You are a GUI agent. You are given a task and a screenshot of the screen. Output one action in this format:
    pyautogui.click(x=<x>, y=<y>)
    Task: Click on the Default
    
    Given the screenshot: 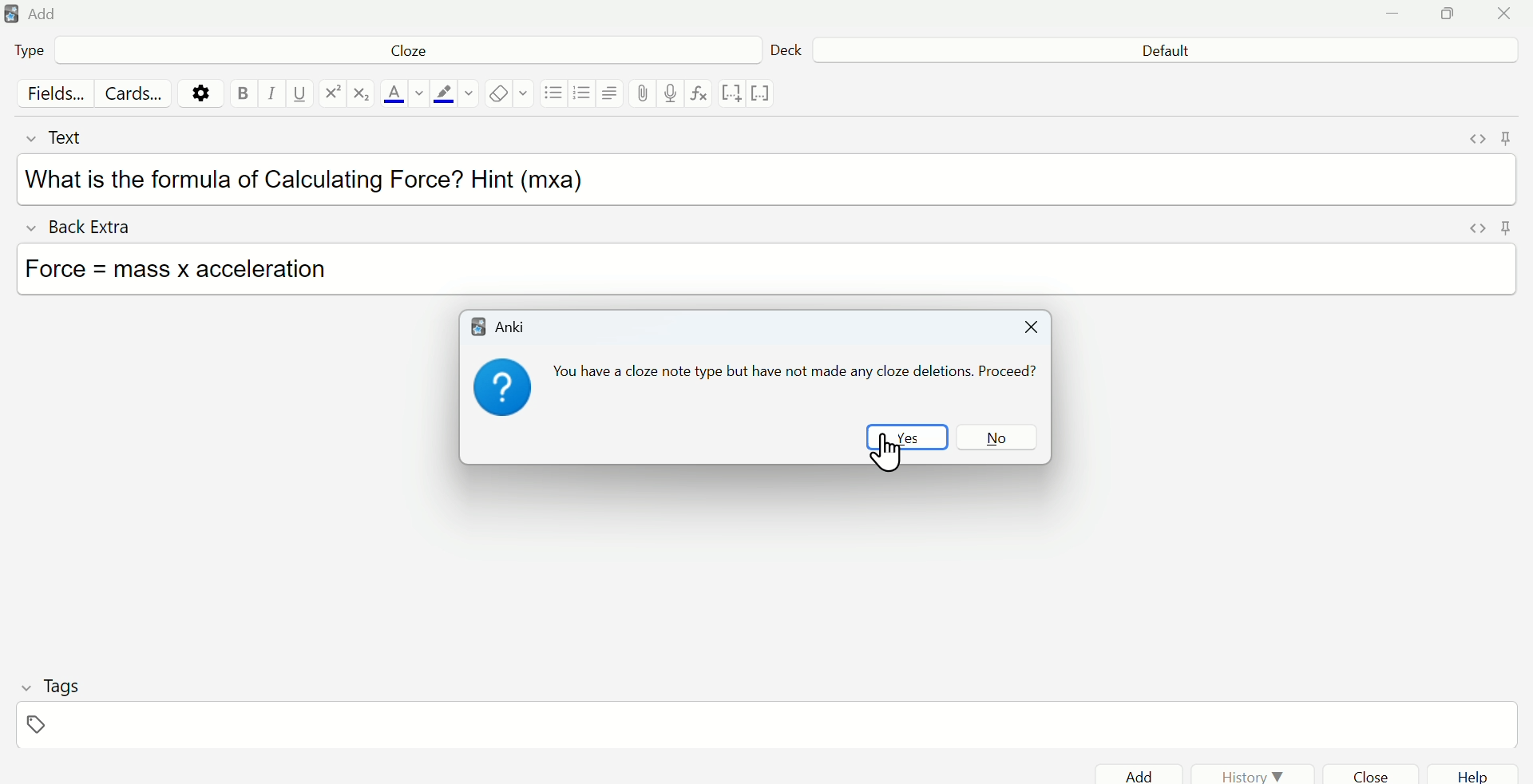 What is the action you would take?
    pyautogui.click(x=1163, y=51)
    